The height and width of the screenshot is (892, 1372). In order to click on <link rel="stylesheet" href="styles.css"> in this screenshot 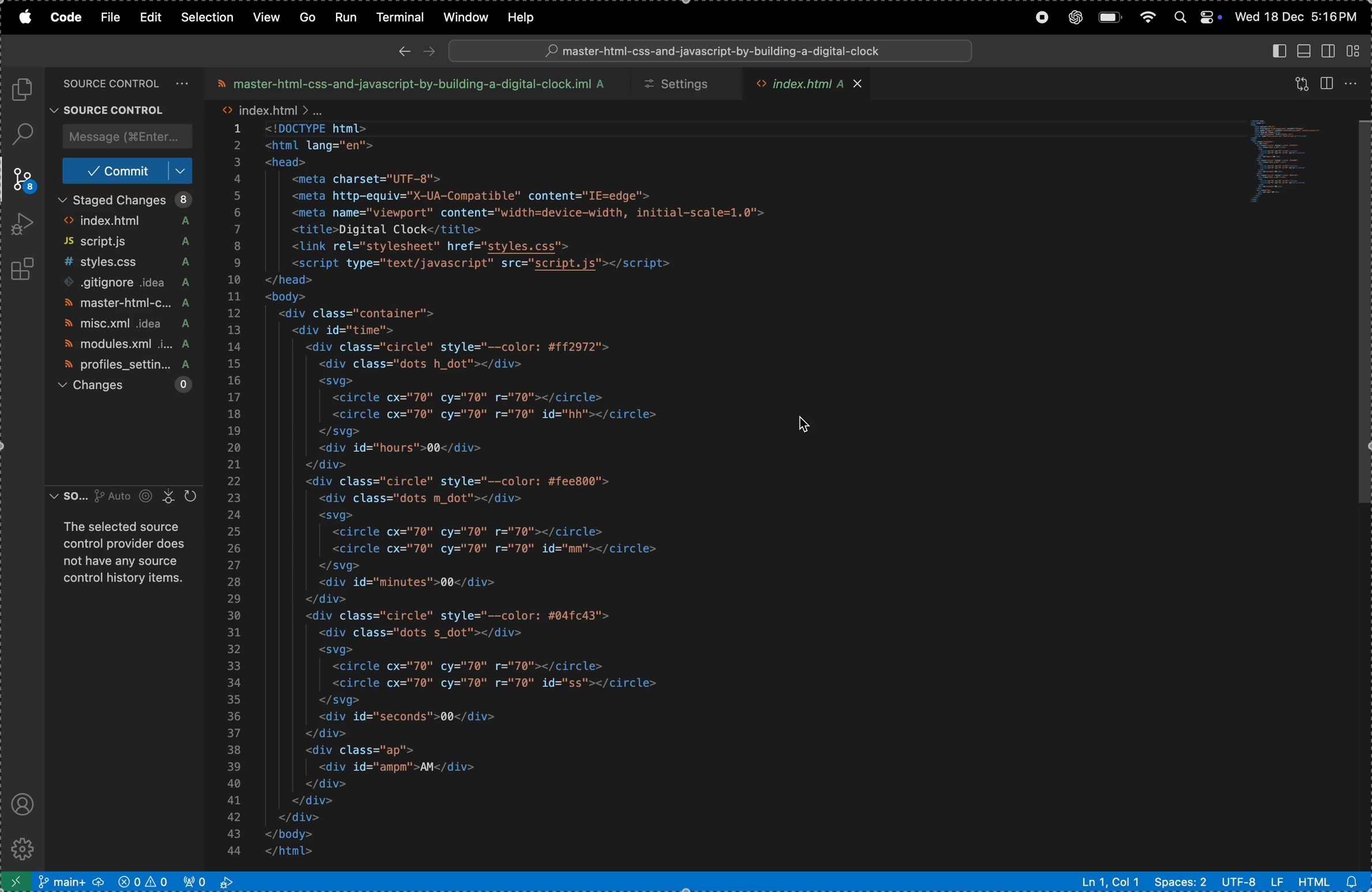, I will do `click(439, 247)`.